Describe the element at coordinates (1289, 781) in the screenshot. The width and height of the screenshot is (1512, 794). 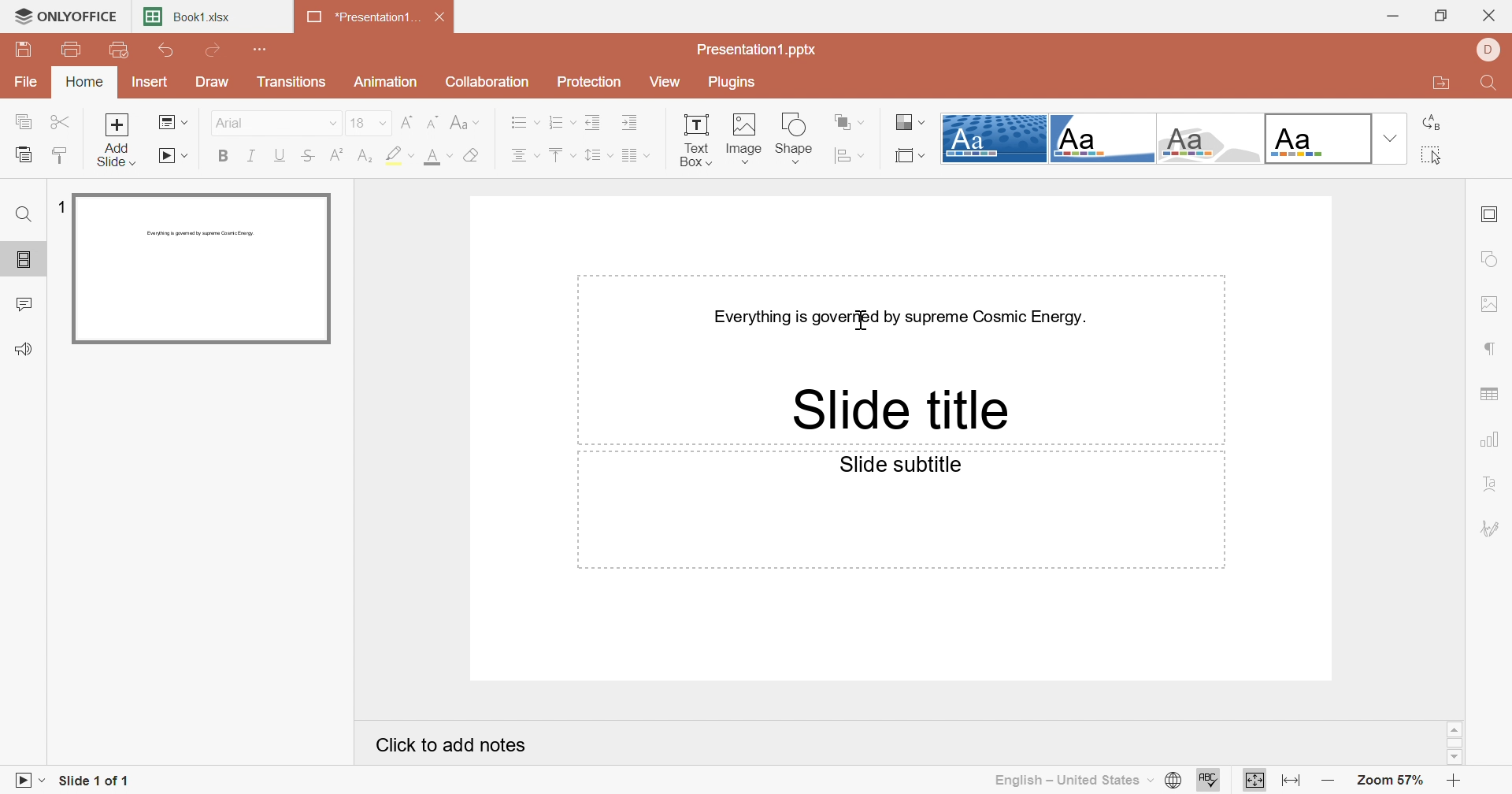
I see `Fit to width` at that location.